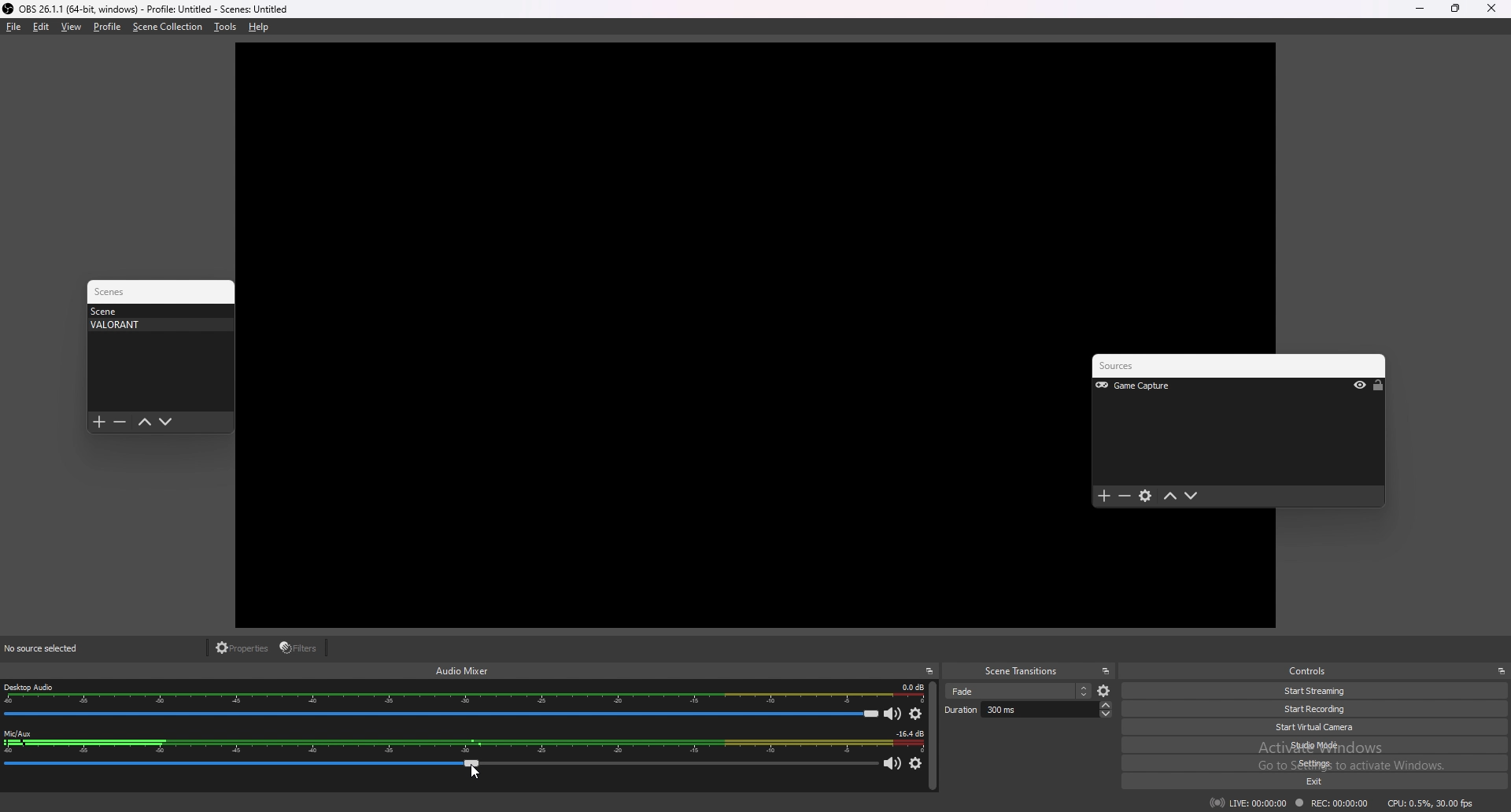 The width and height of the screenshot is (1511, 812). I want to click on audio mixer, so click(463, 670).